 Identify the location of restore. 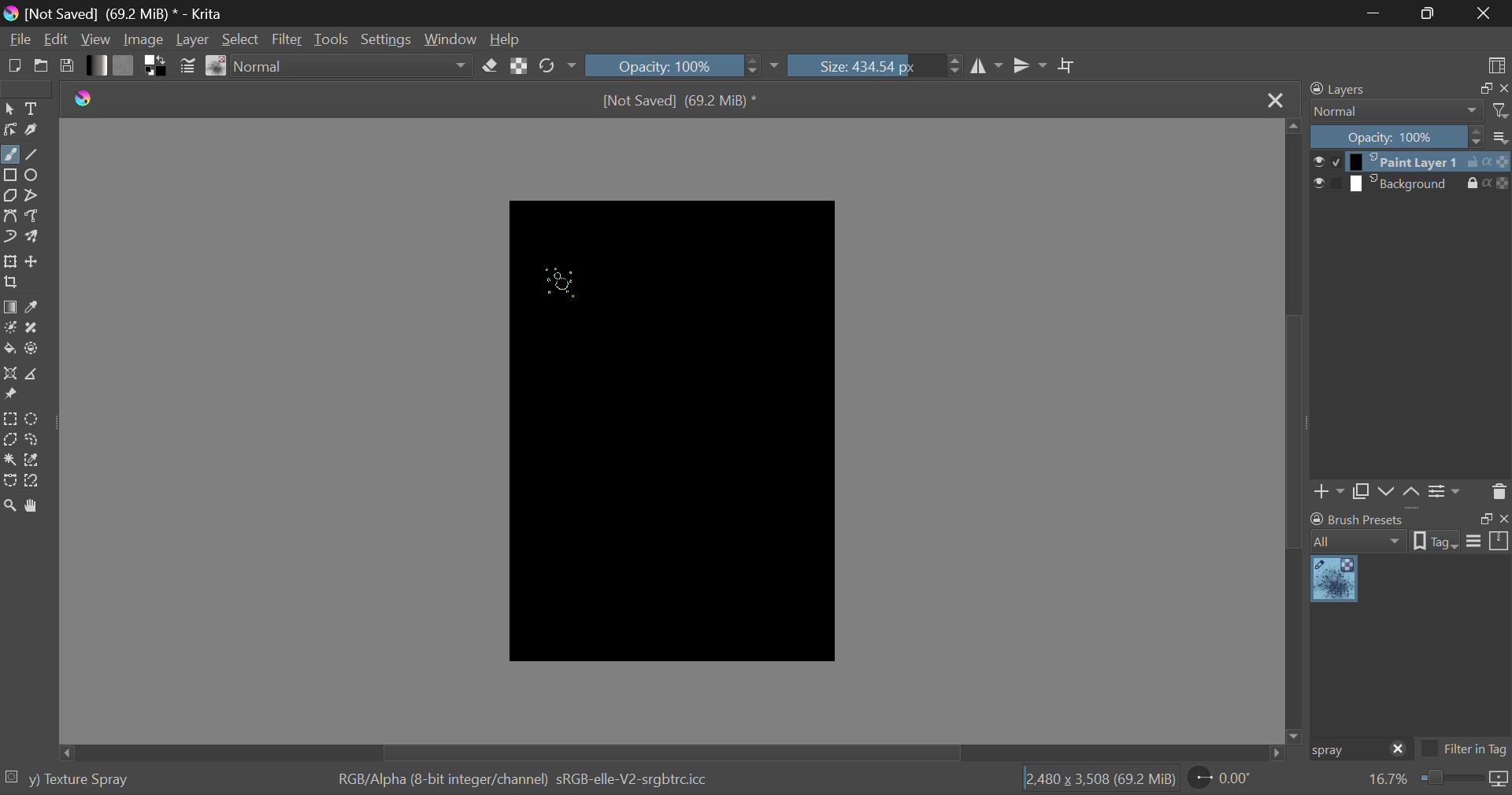
(1483, 519).